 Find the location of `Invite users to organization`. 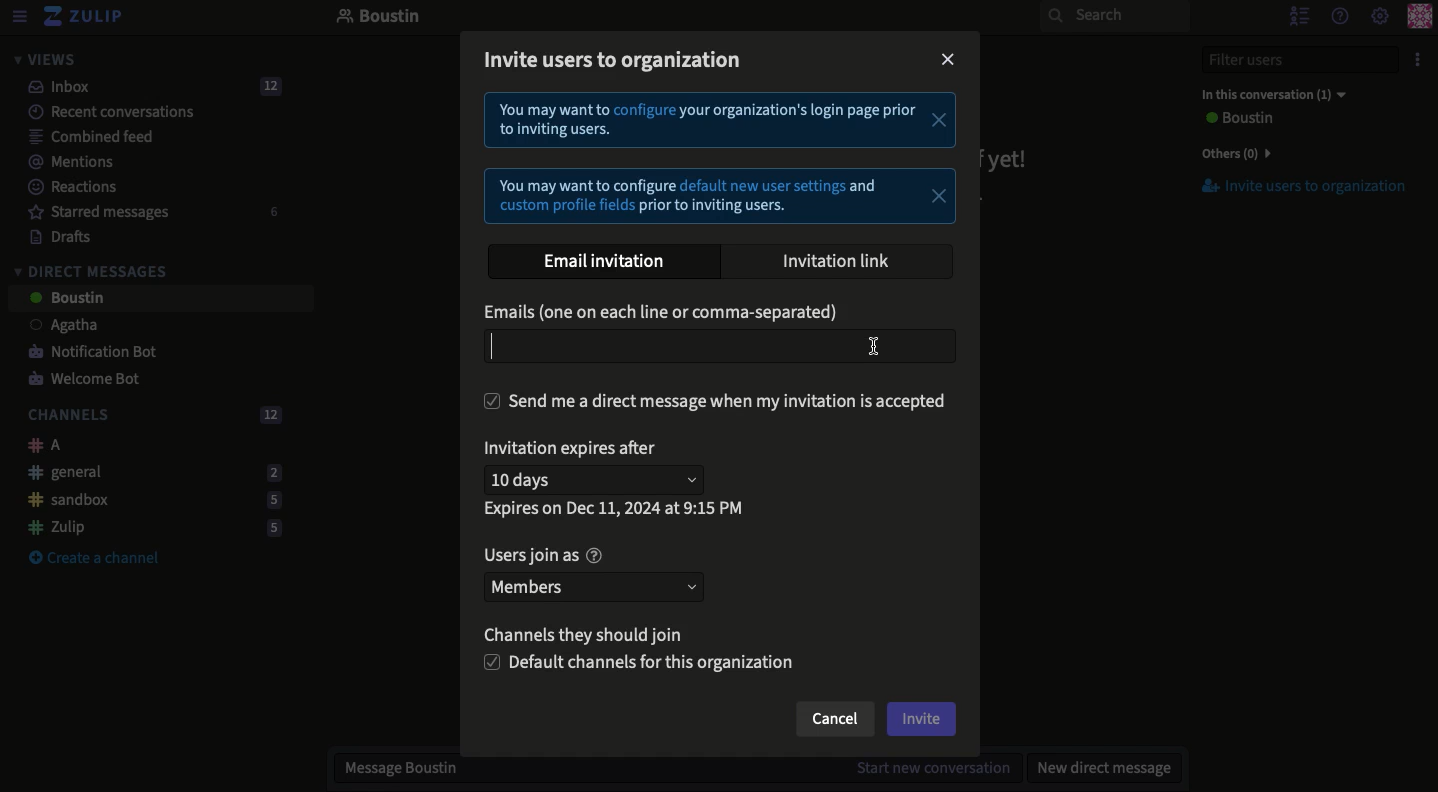

Invite users to organization is located at coordinates (615, 63).